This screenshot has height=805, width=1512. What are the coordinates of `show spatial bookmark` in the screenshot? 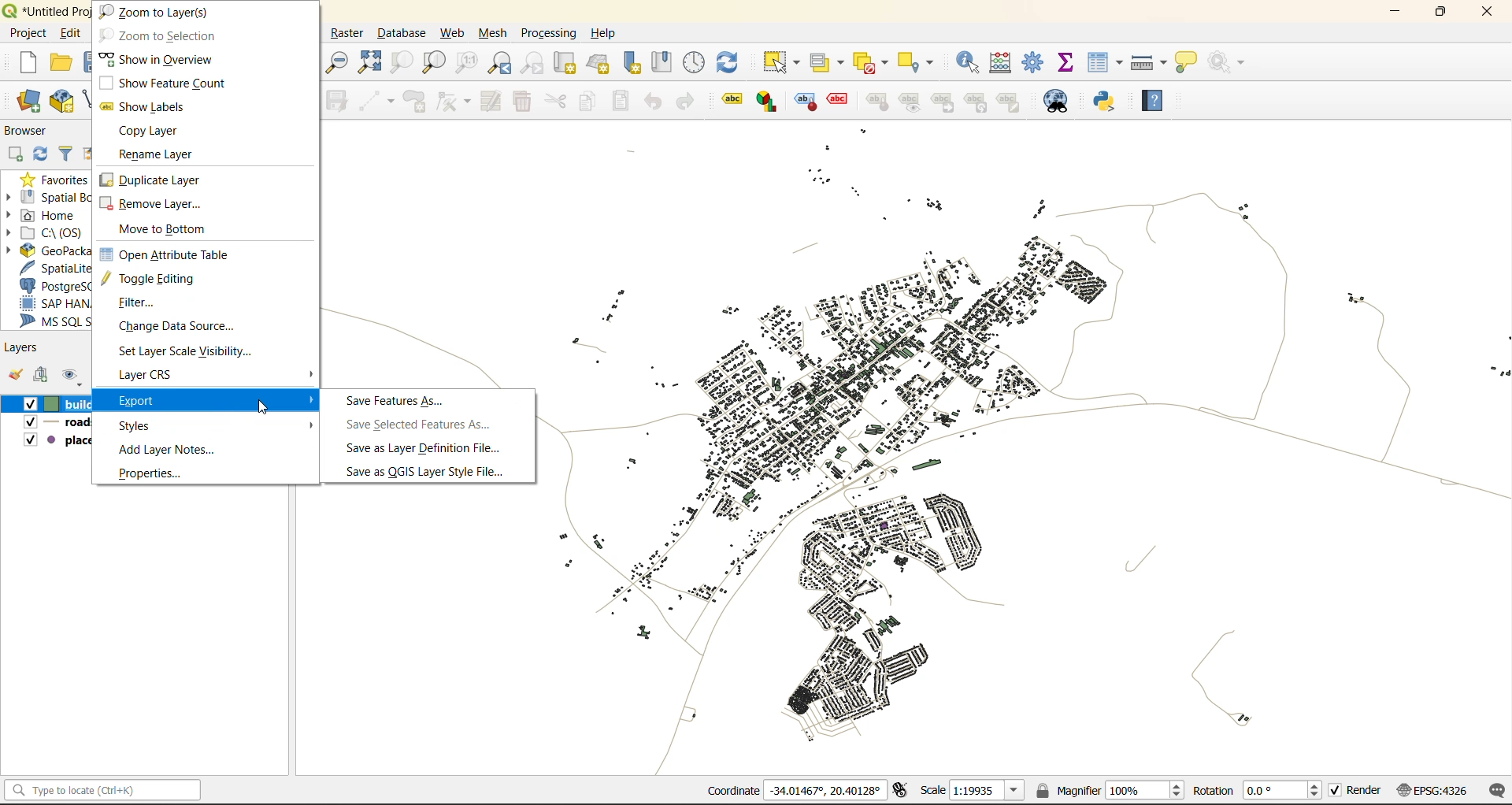 It's located at (665, 62).